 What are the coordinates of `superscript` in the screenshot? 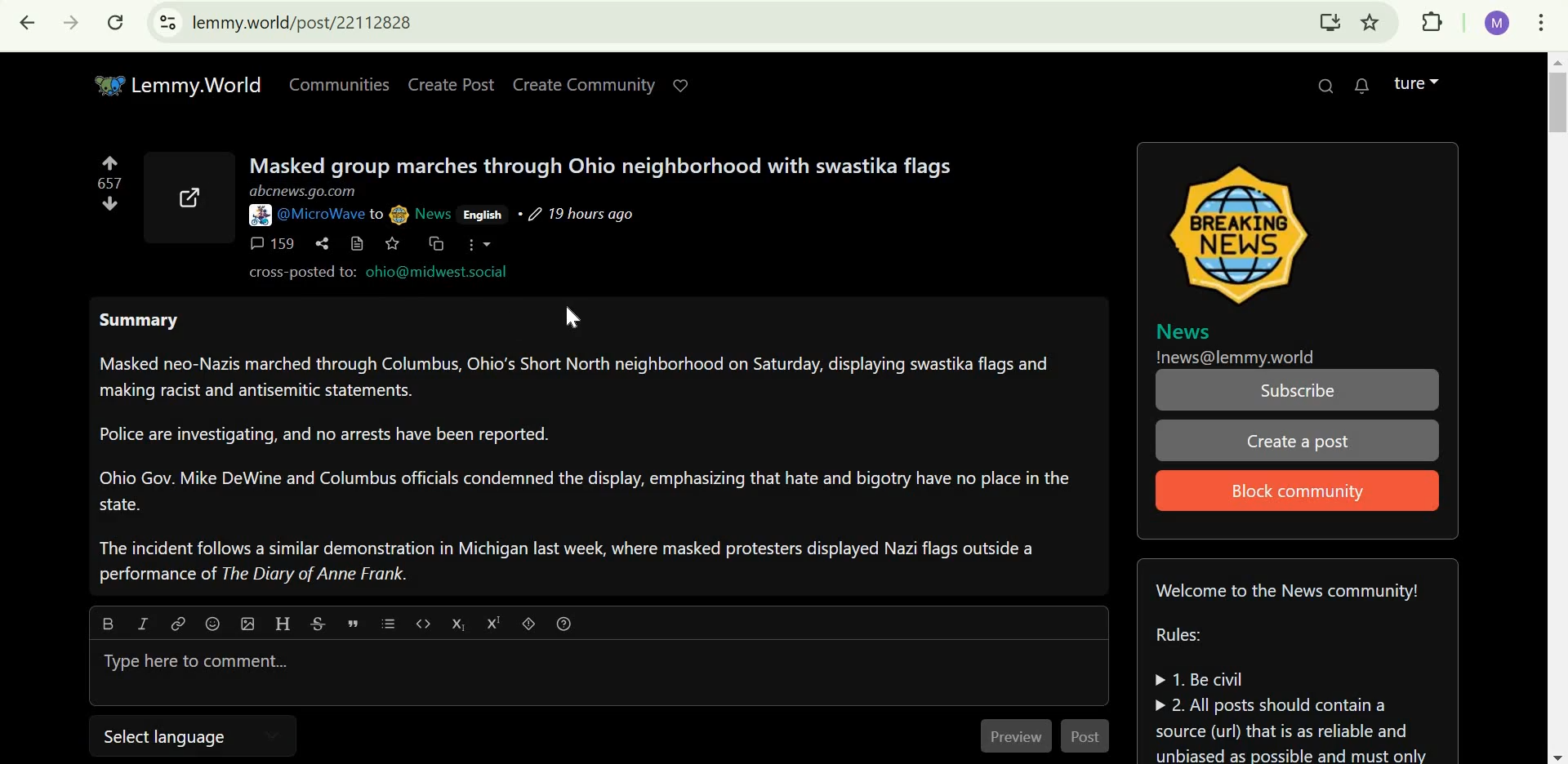 It's located at (492, 623).